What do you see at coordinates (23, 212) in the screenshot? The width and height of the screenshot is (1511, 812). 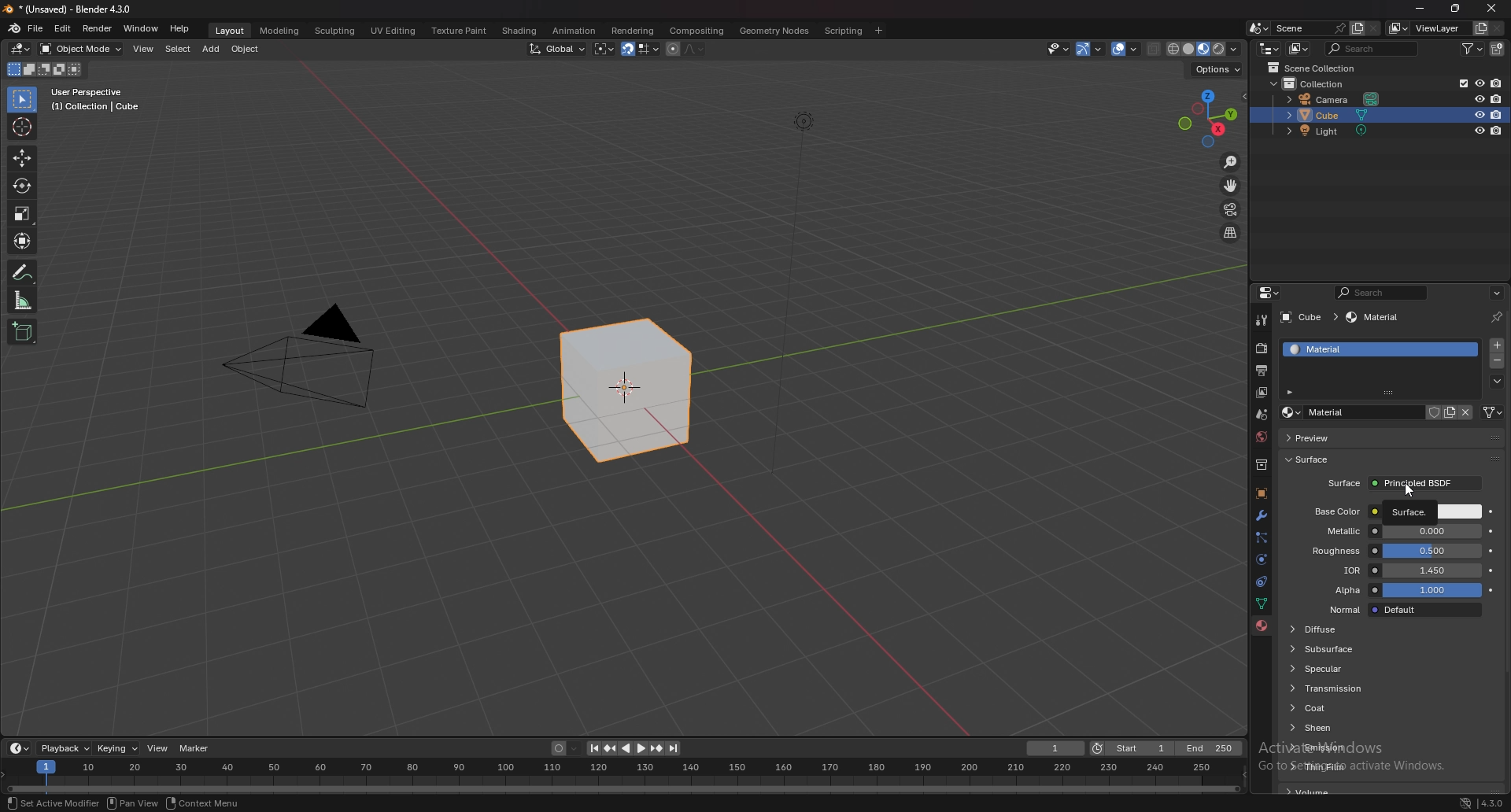 I see `scale` at bounding box center [23, 212].